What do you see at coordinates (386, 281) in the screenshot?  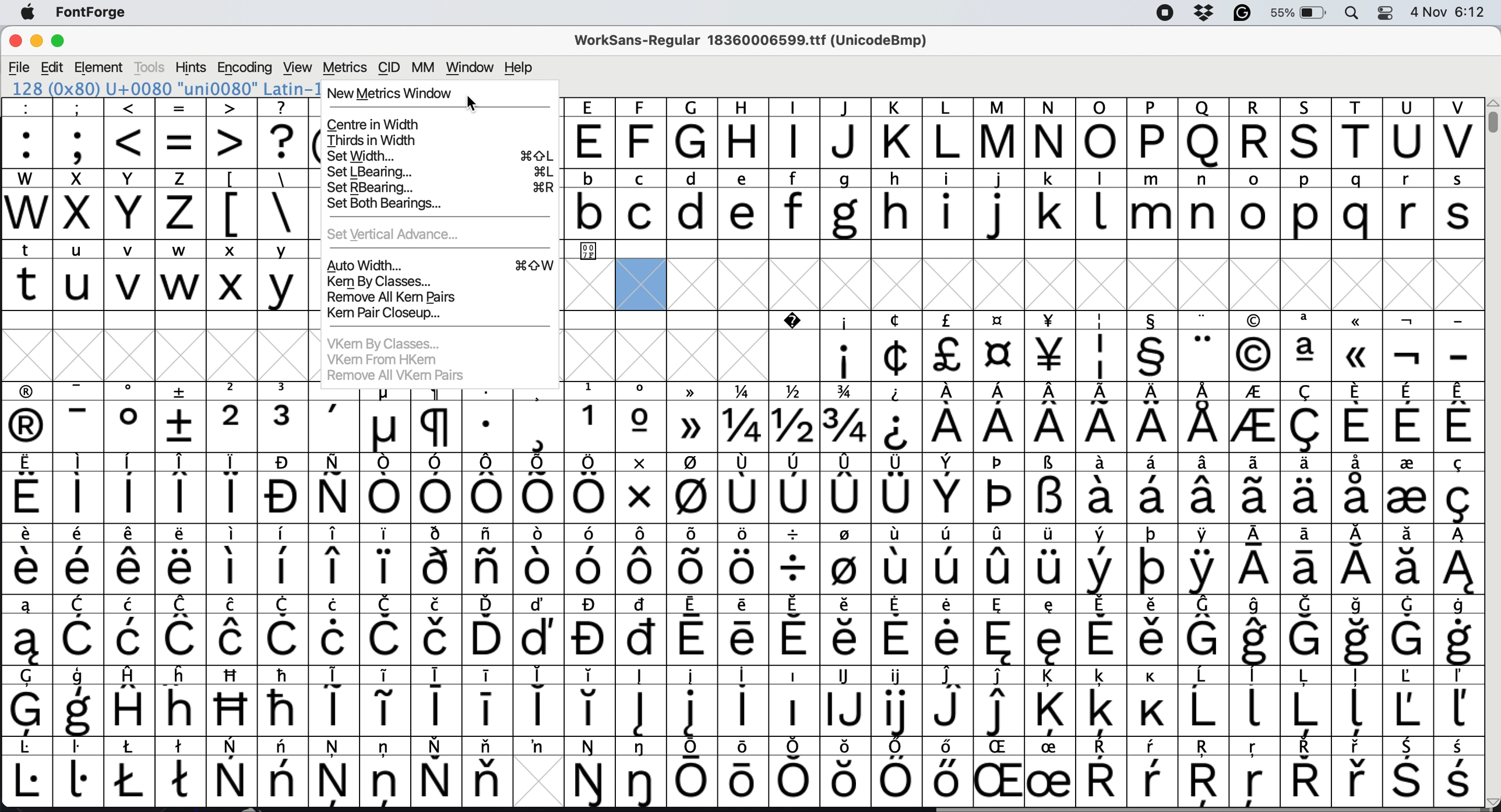 I see `kern by classes` at bounding box center [386, 281].